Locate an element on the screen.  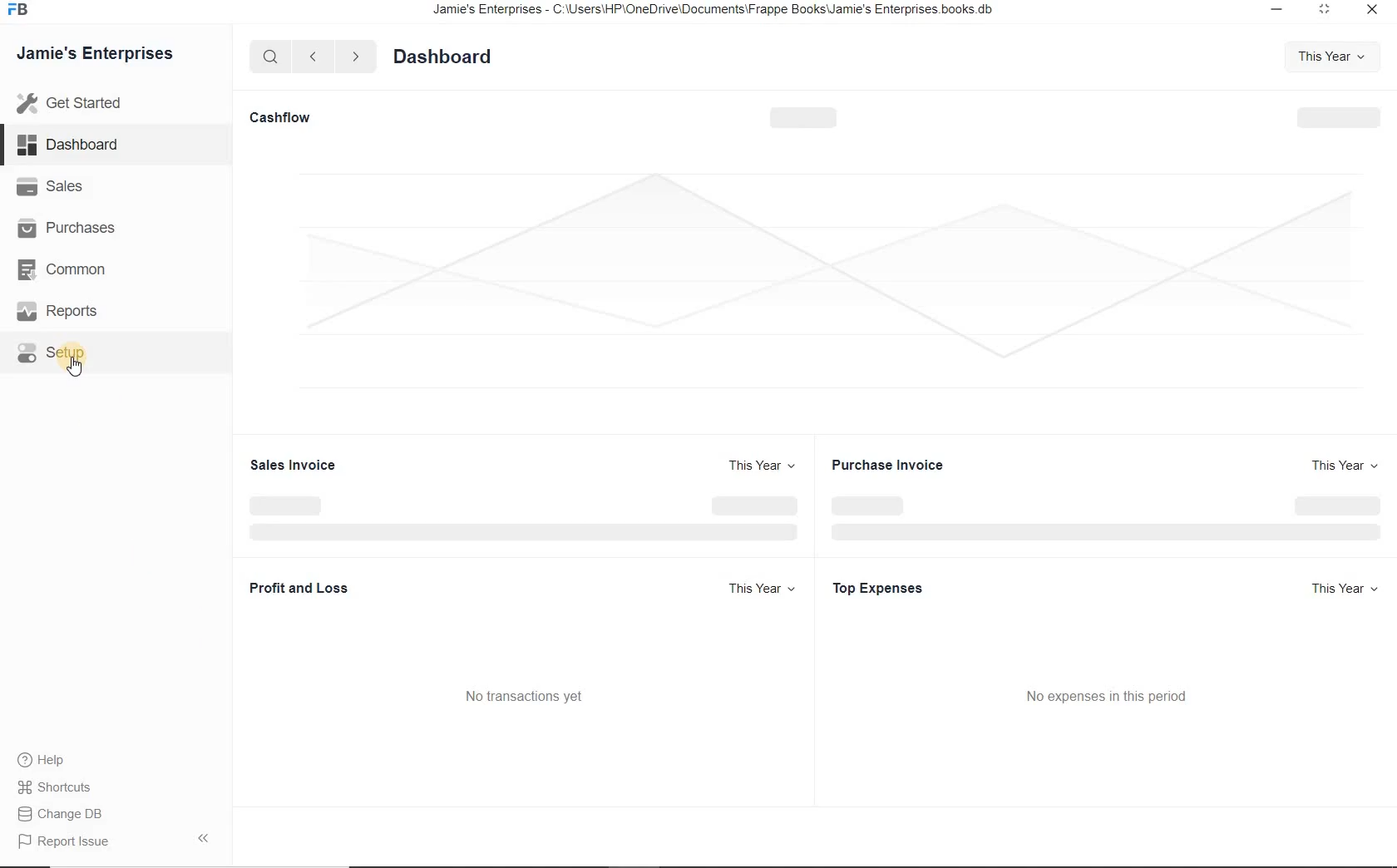
Report Issue is located at coordinates (68, 842).